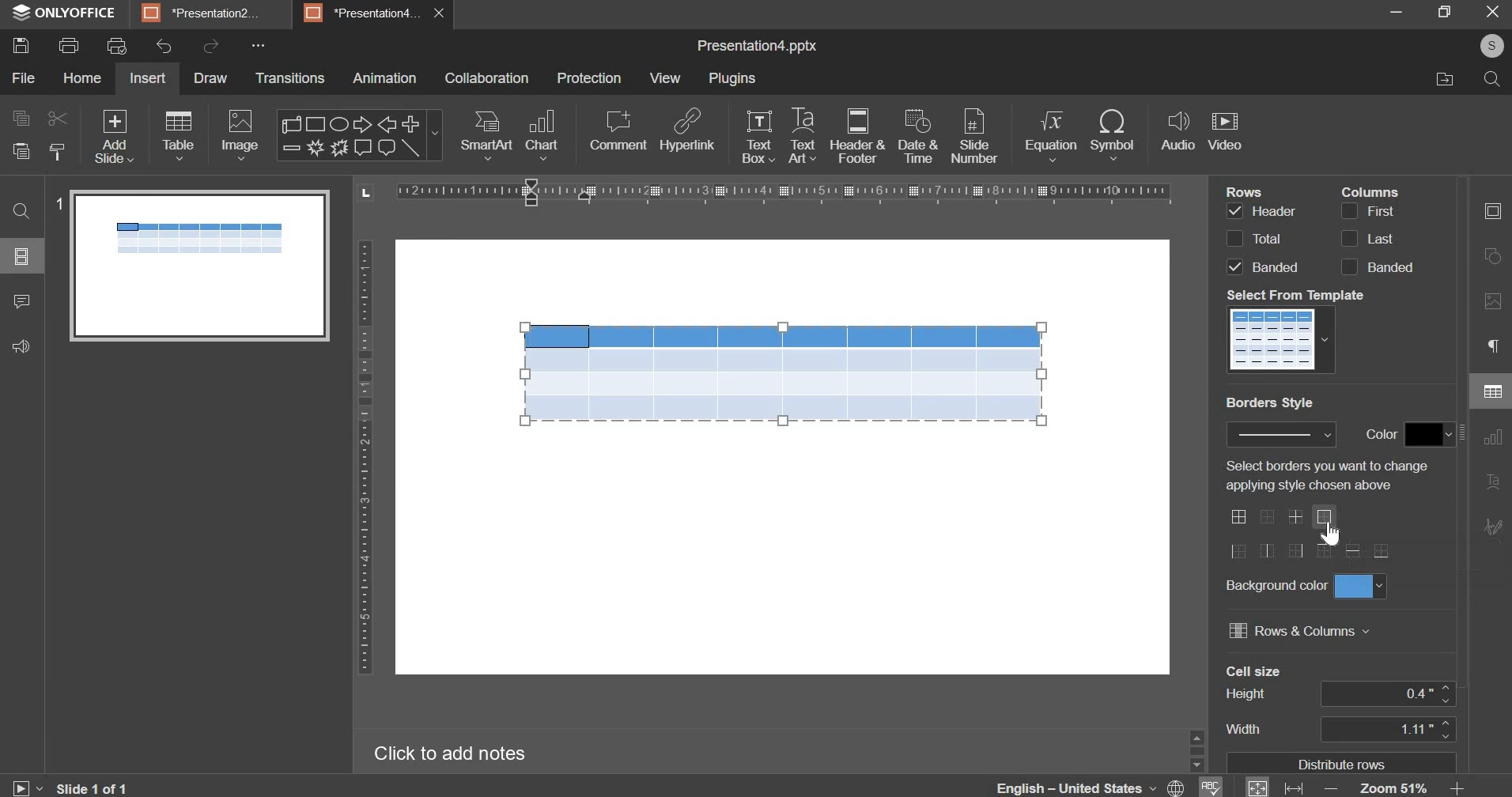 This screenshot has width=1512, height=797. What do you see at coordinates (486, 136) in the screenshot?
I see `smart art` at bounding box center [486, 136].